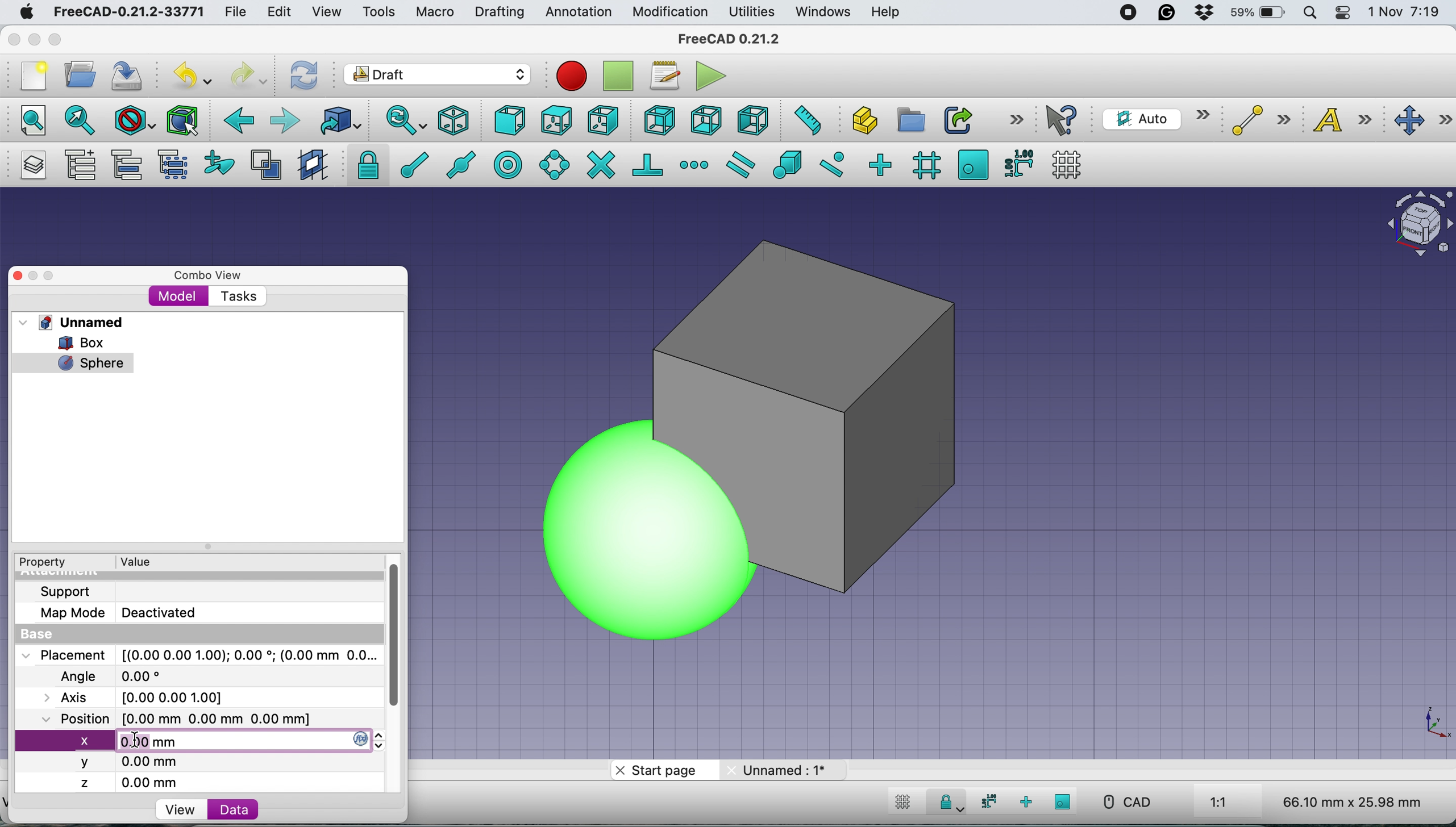 Image resolution: width=1456 pixels, height=827 pixels. I want to click on property, so click(51, 562).